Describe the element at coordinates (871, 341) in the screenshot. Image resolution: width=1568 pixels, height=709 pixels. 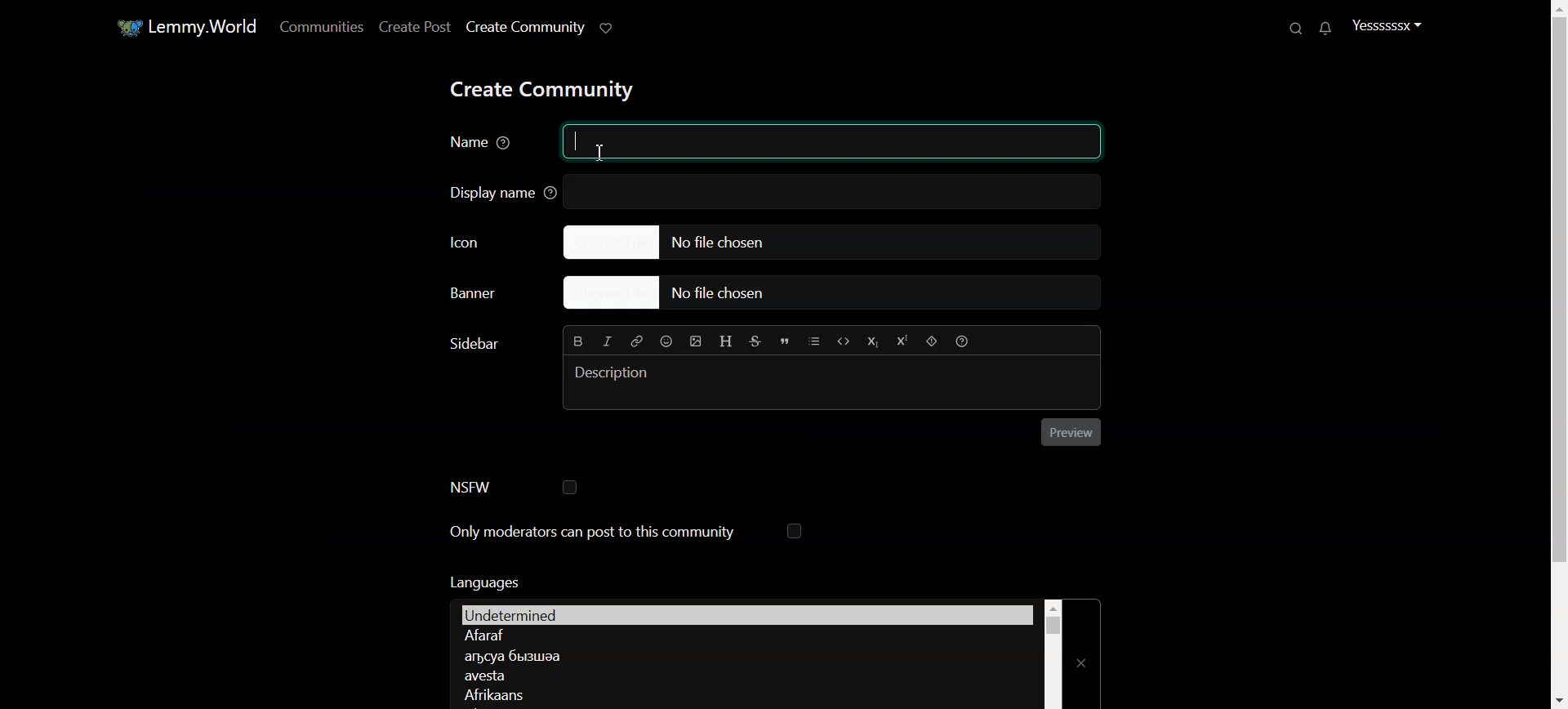
I see `Subscript` at that location.